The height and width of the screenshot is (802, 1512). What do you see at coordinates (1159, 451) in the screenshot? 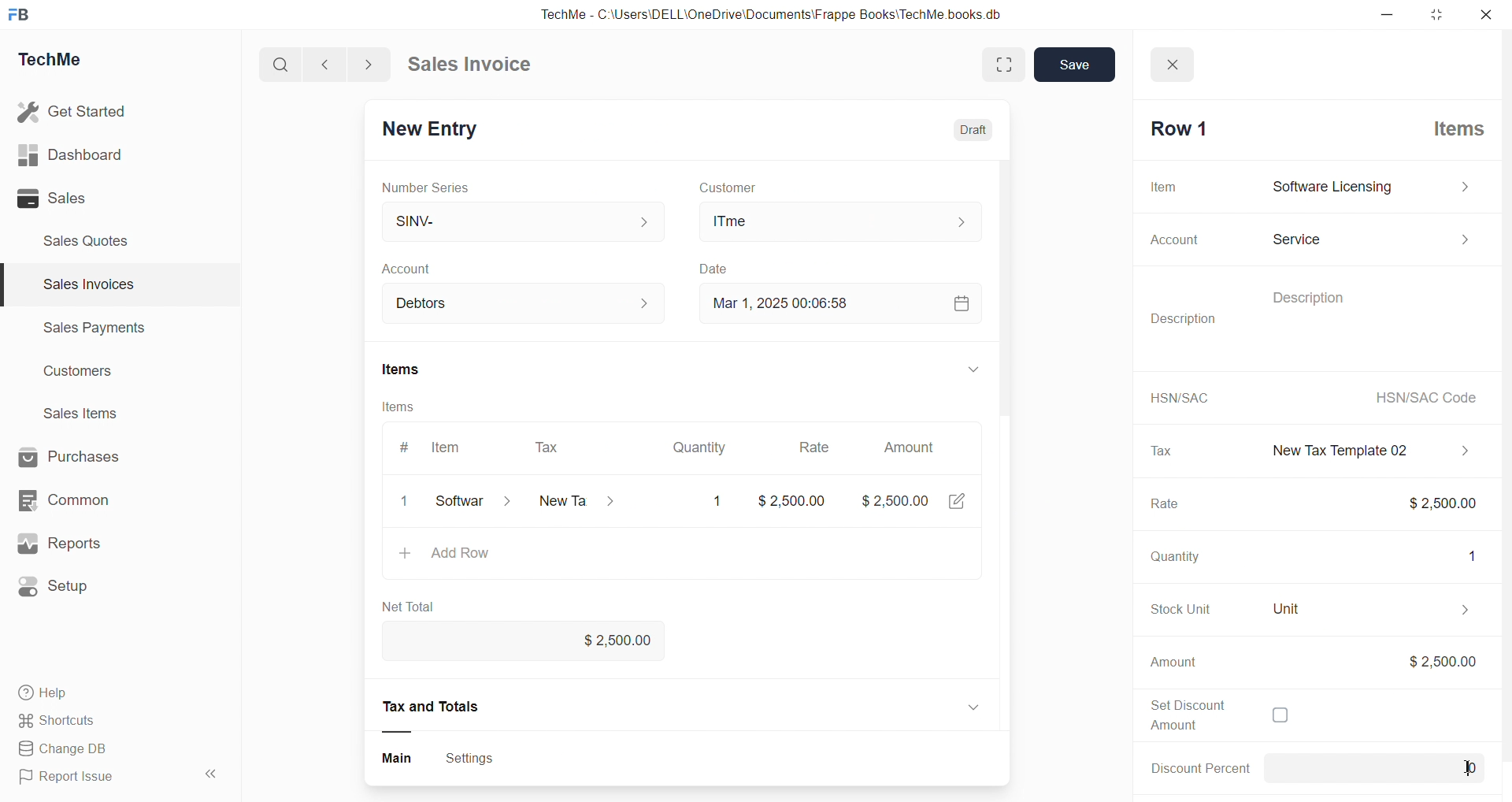
I see `Tax` at bounding box center [1159, 451].